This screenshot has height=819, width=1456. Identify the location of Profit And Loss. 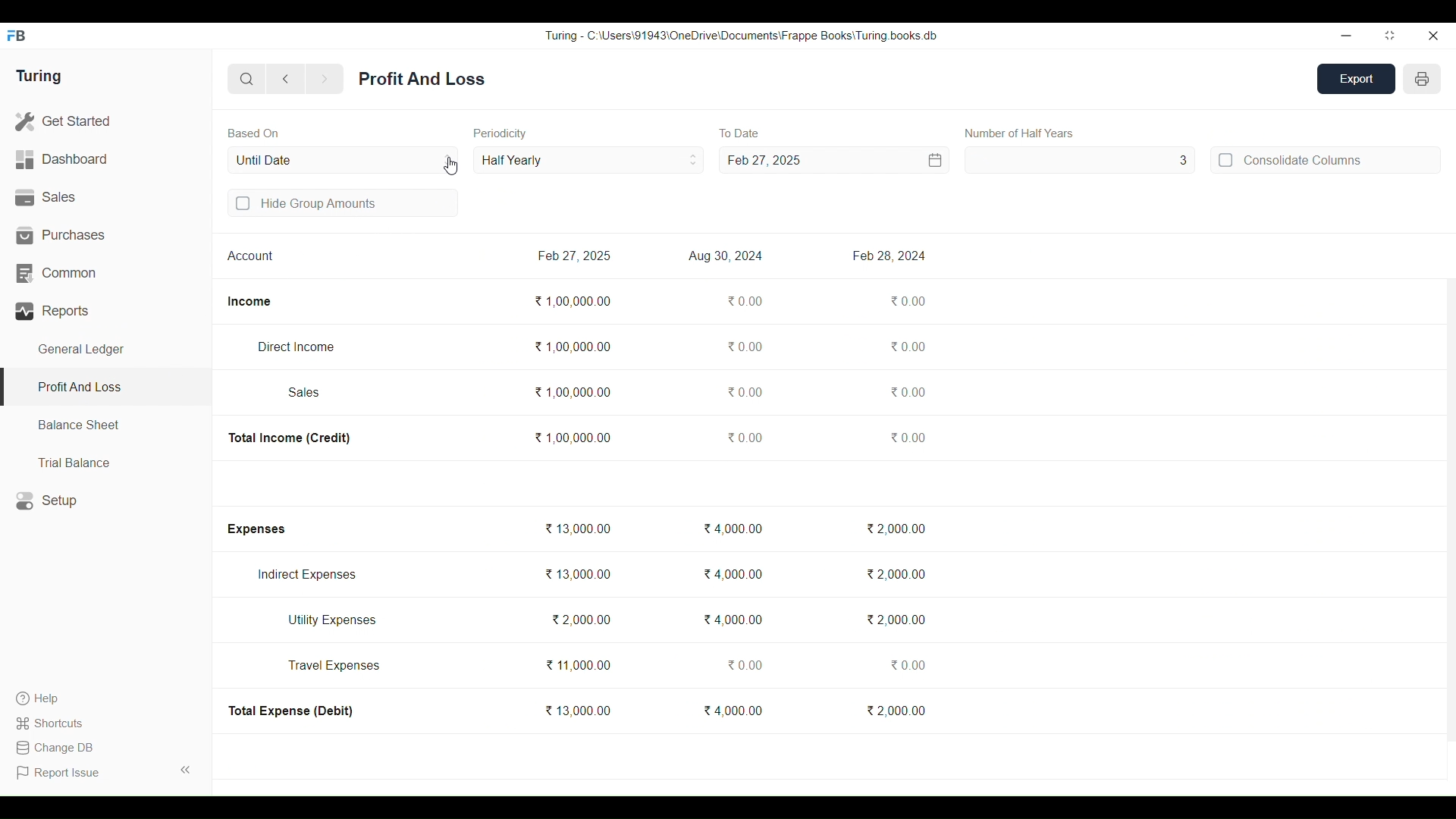
(422, 79).